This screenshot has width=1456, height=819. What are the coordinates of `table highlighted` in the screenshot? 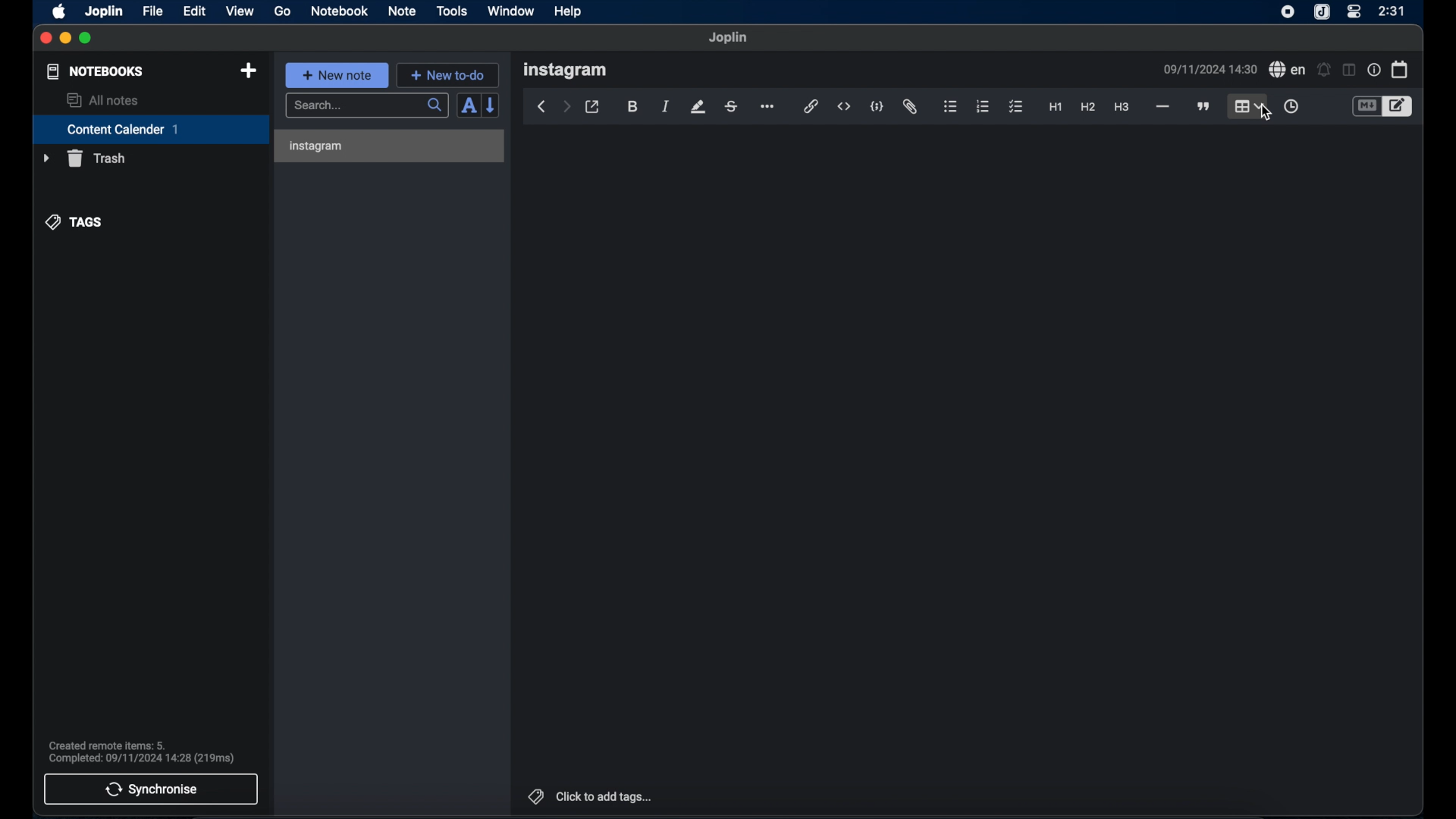 It's located at (1247, 107).